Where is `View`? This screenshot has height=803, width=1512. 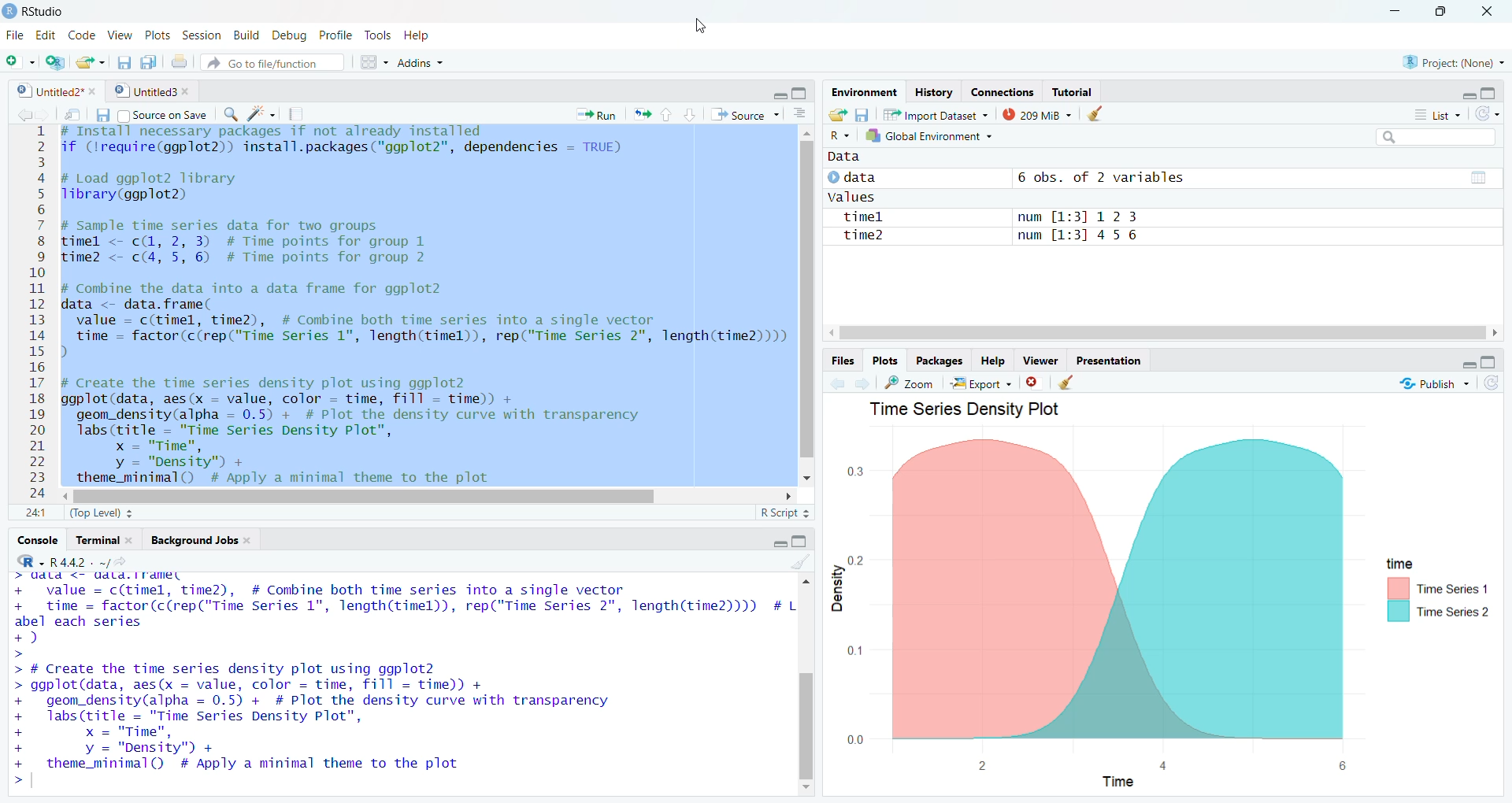
View is located at coordinates (121, 35).